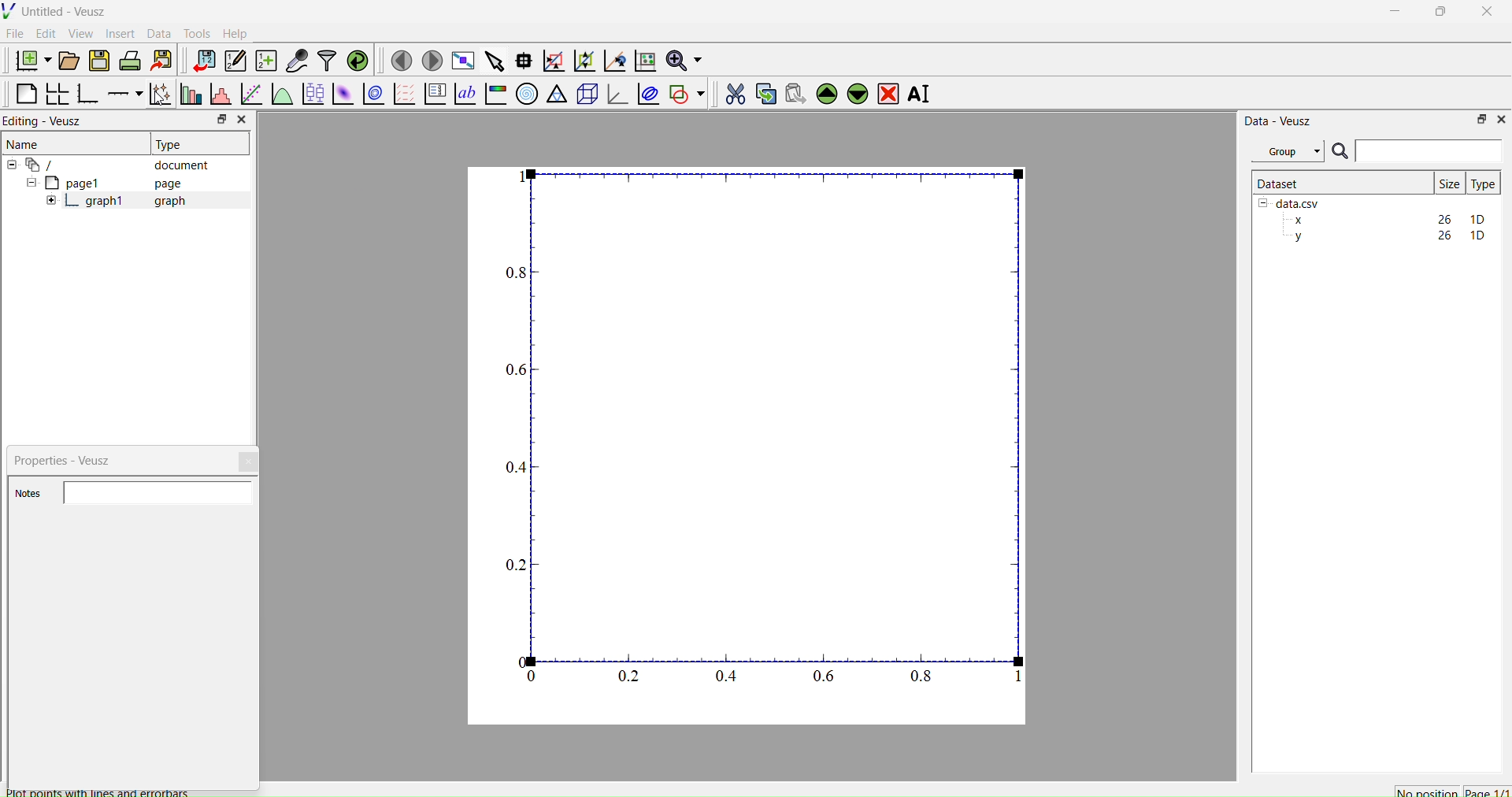 This screenshot has height=797, width=1512. I want to click on Plot bar charts, so click(189, 95).